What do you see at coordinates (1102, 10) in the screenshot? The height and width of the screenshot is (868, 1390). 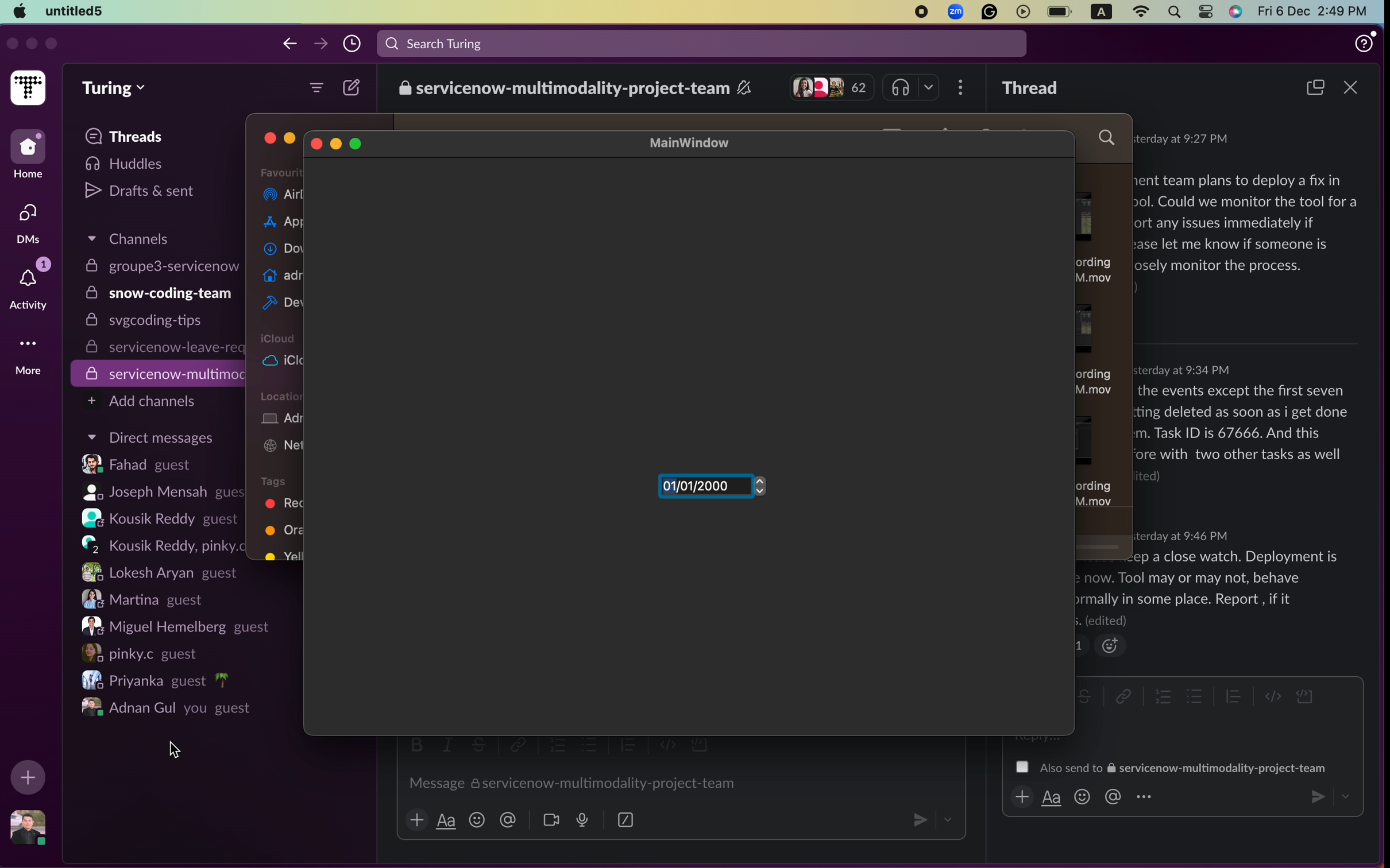 I see `A` at bounding box center [1102, 10].